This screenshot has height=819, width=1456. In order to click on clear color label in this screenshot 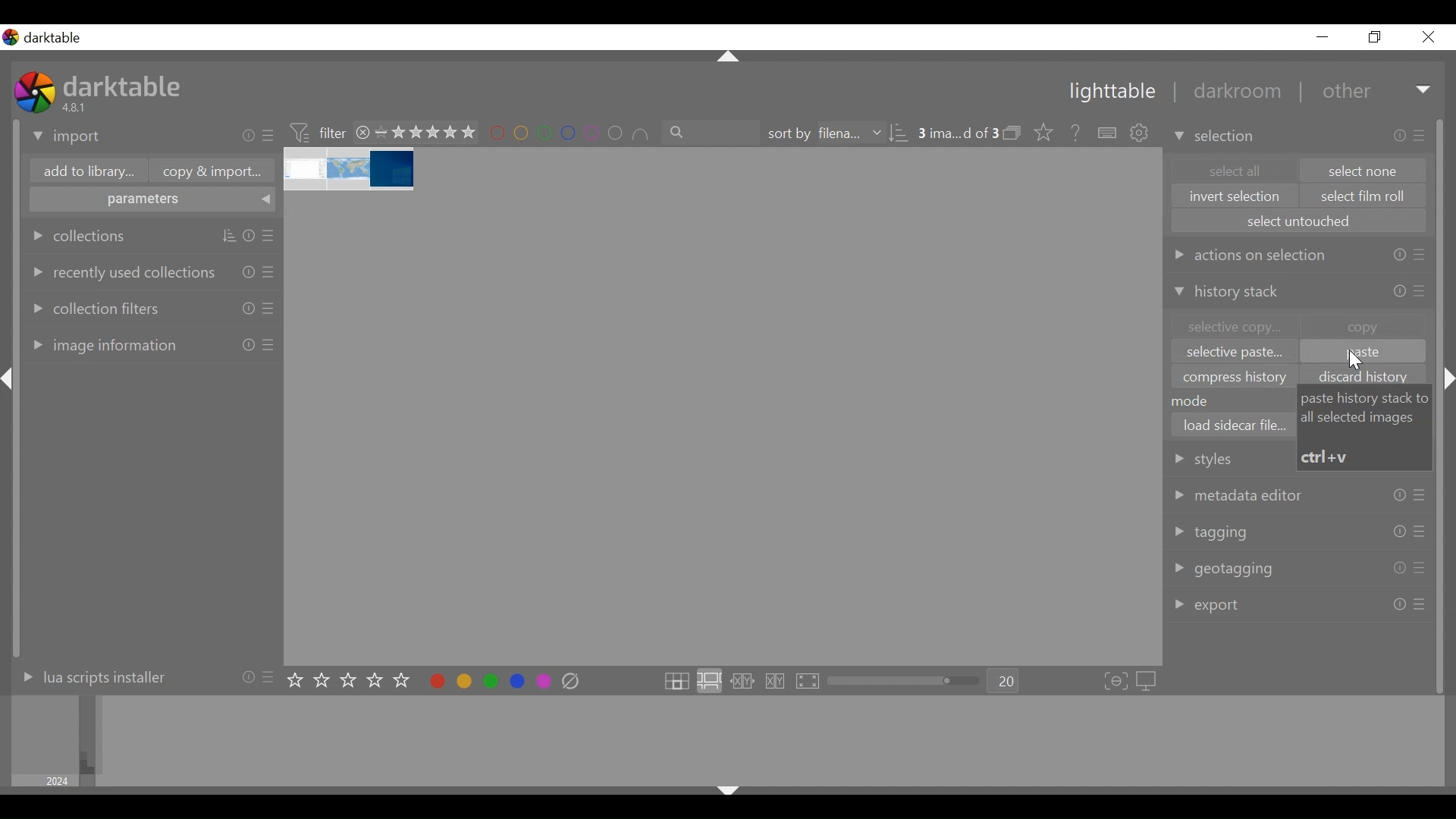, I will do `click(575, 682)`.